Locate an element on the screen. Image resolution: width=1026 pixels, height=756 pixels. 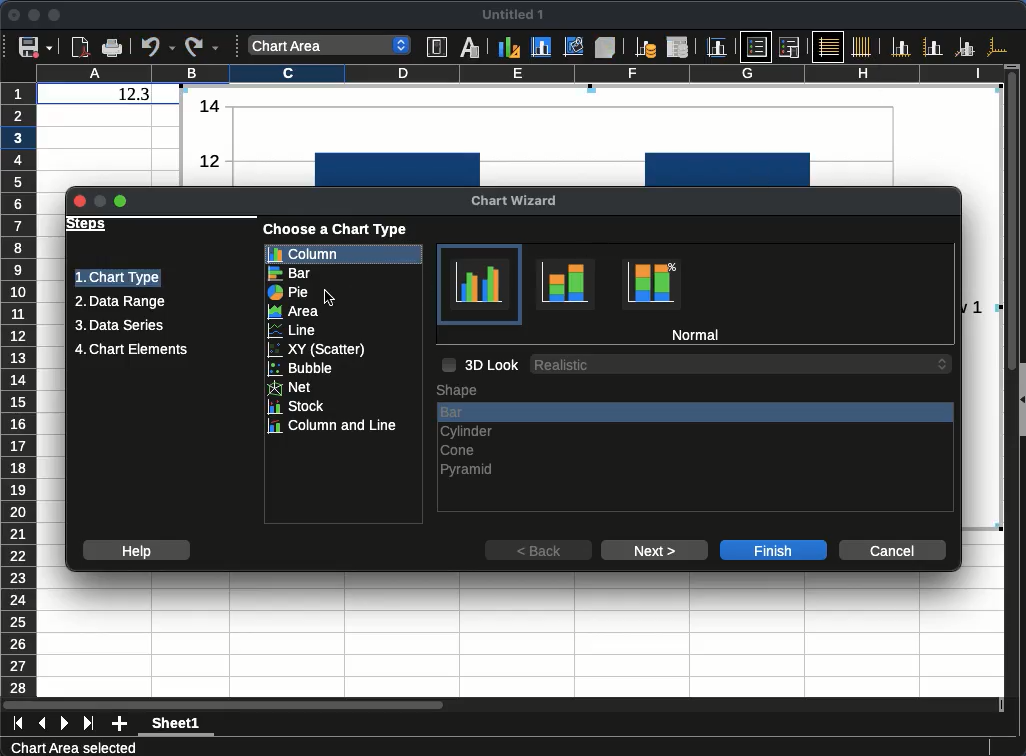
Normal bar column chart is located at coordinates (589, 135).